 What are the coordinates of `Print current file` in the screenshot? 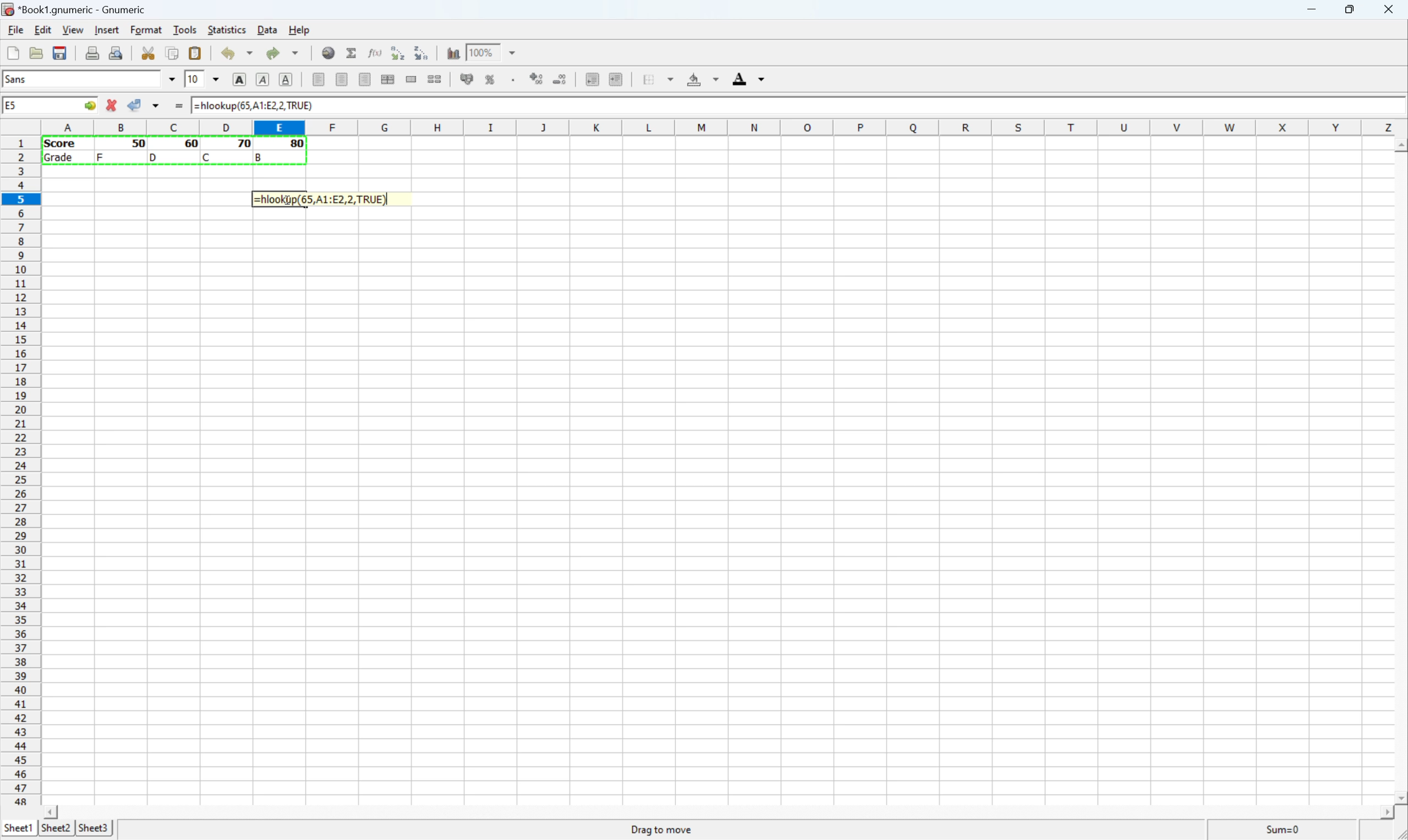 It's located at (90, 53).